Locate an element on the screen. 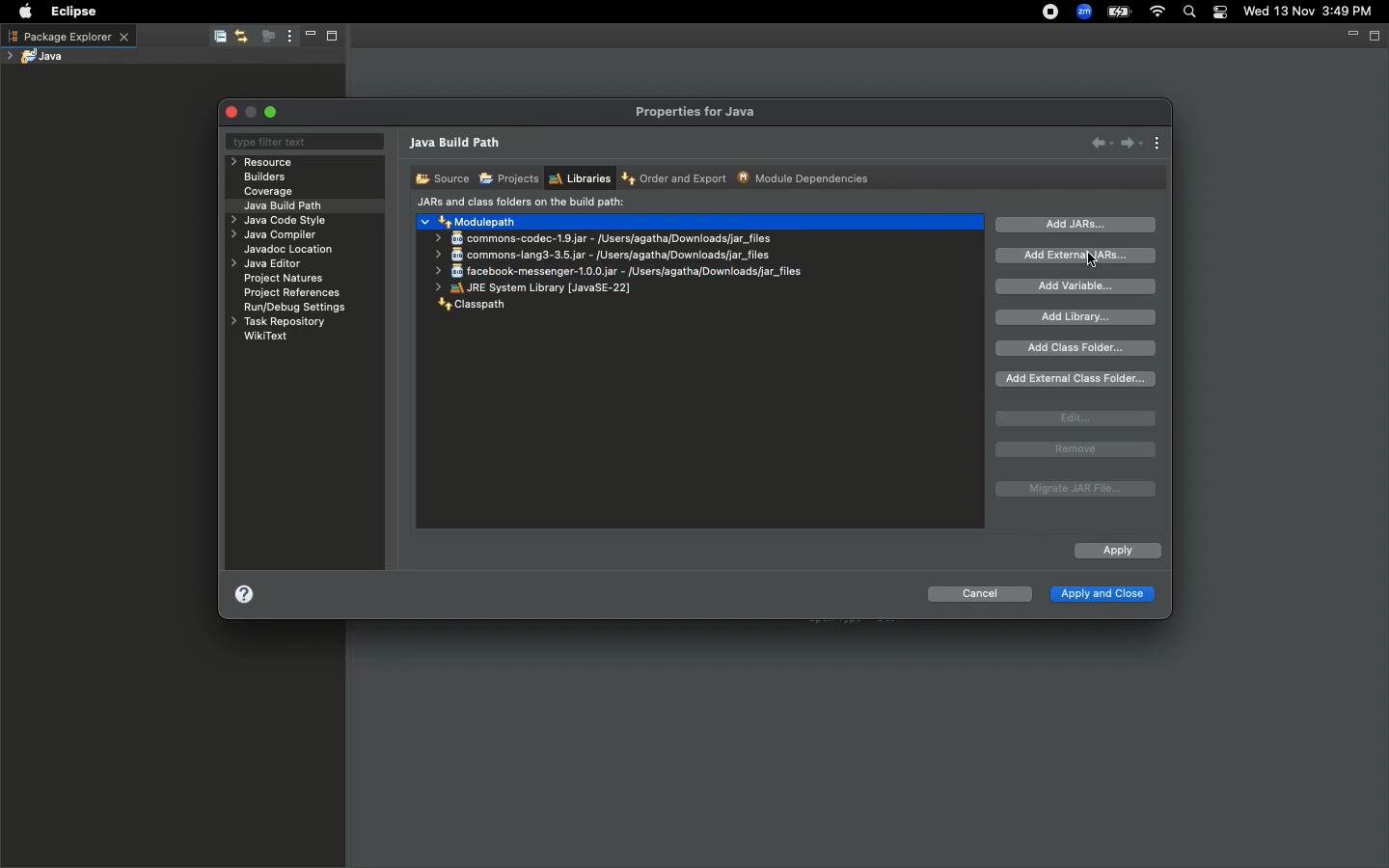 The width and height of the screenshot is (1389, 868). Maximize is located at coordinates (1376, 37).